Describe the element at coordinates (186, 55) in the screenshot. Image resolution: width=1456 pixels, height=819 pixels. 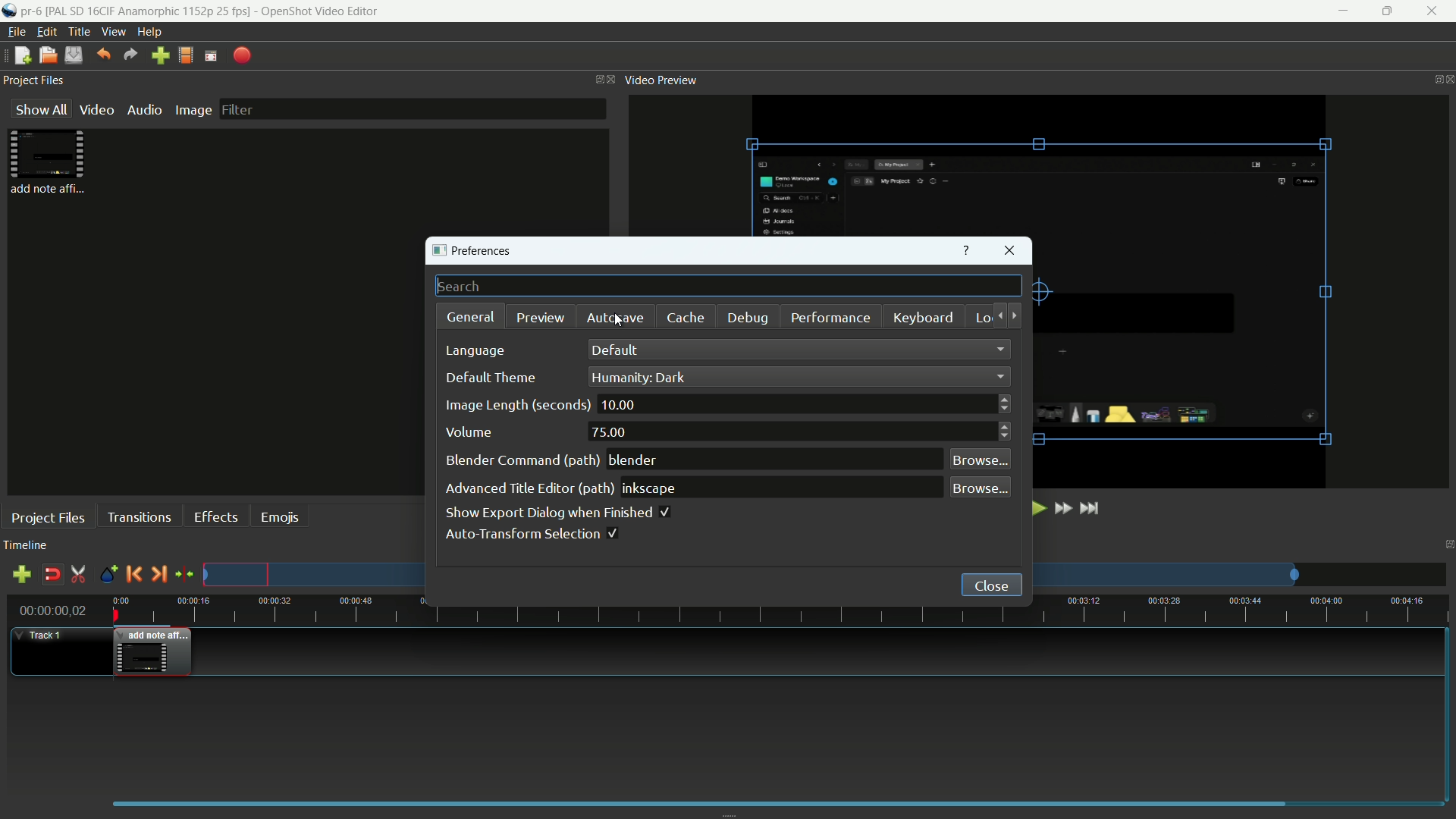
I see `profile` at that location.